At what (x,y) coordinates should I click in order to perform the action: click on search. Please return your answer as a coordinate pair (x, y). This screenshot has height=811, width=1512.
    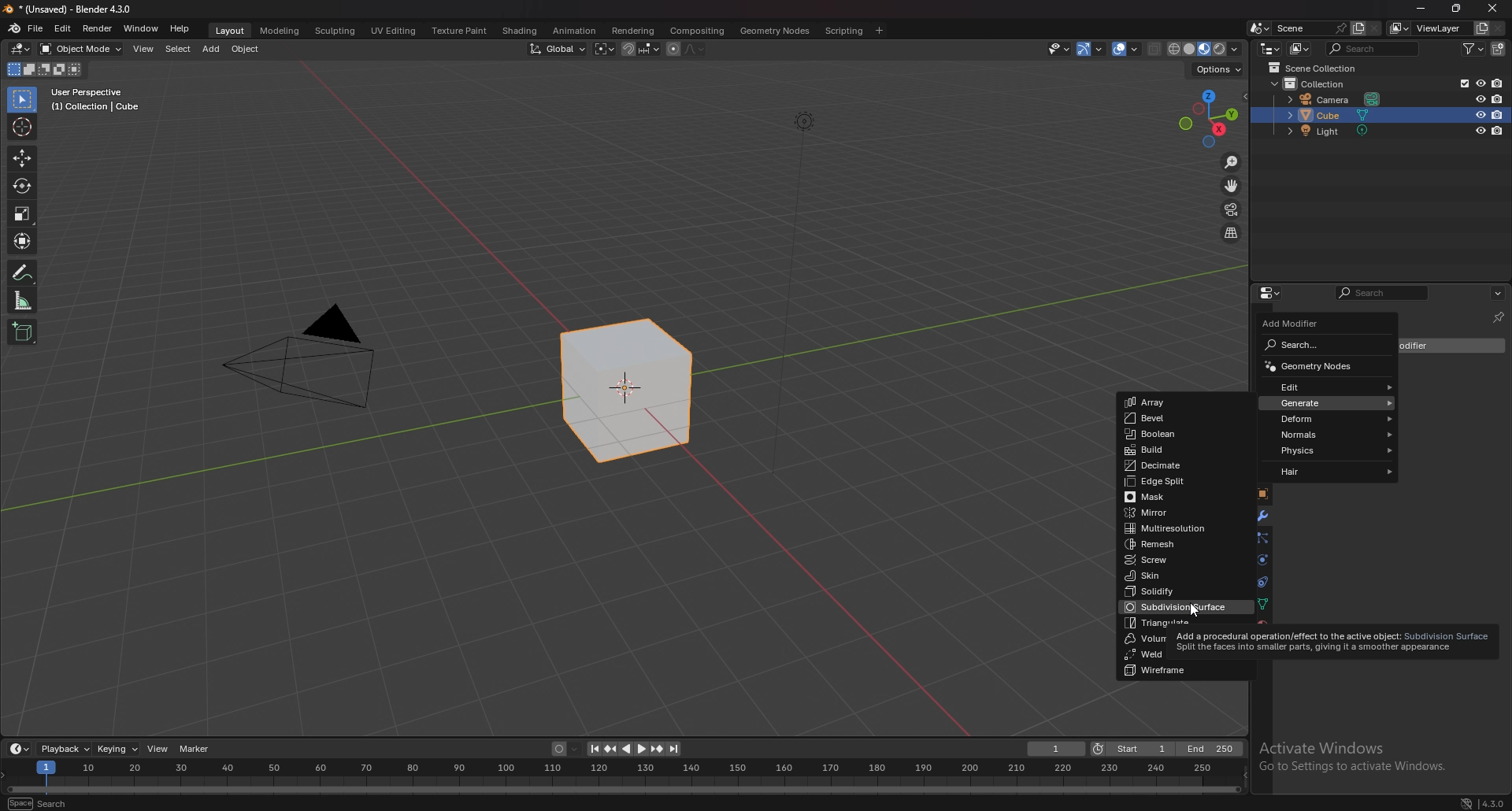
    Looking at the image, I should click on (1325, 343).